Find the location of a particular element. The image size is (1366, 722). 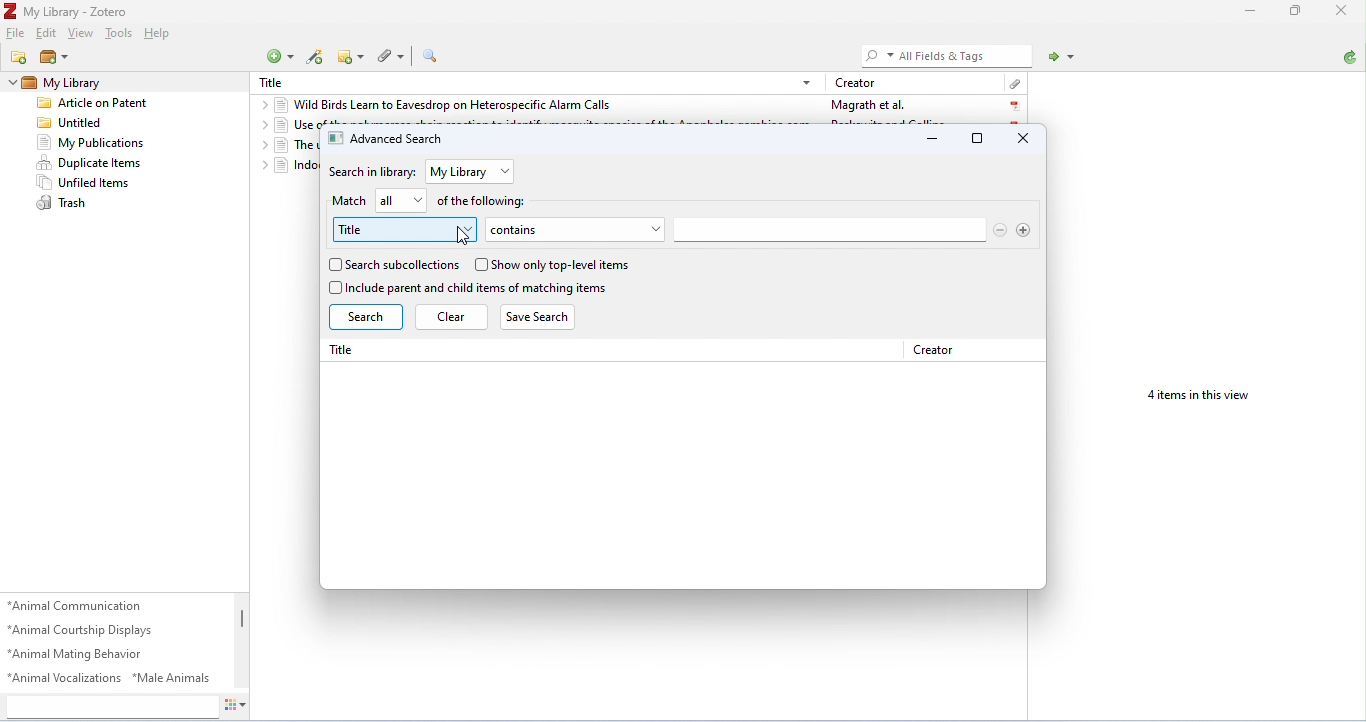

checkbox is located at coordinates (335, 288).